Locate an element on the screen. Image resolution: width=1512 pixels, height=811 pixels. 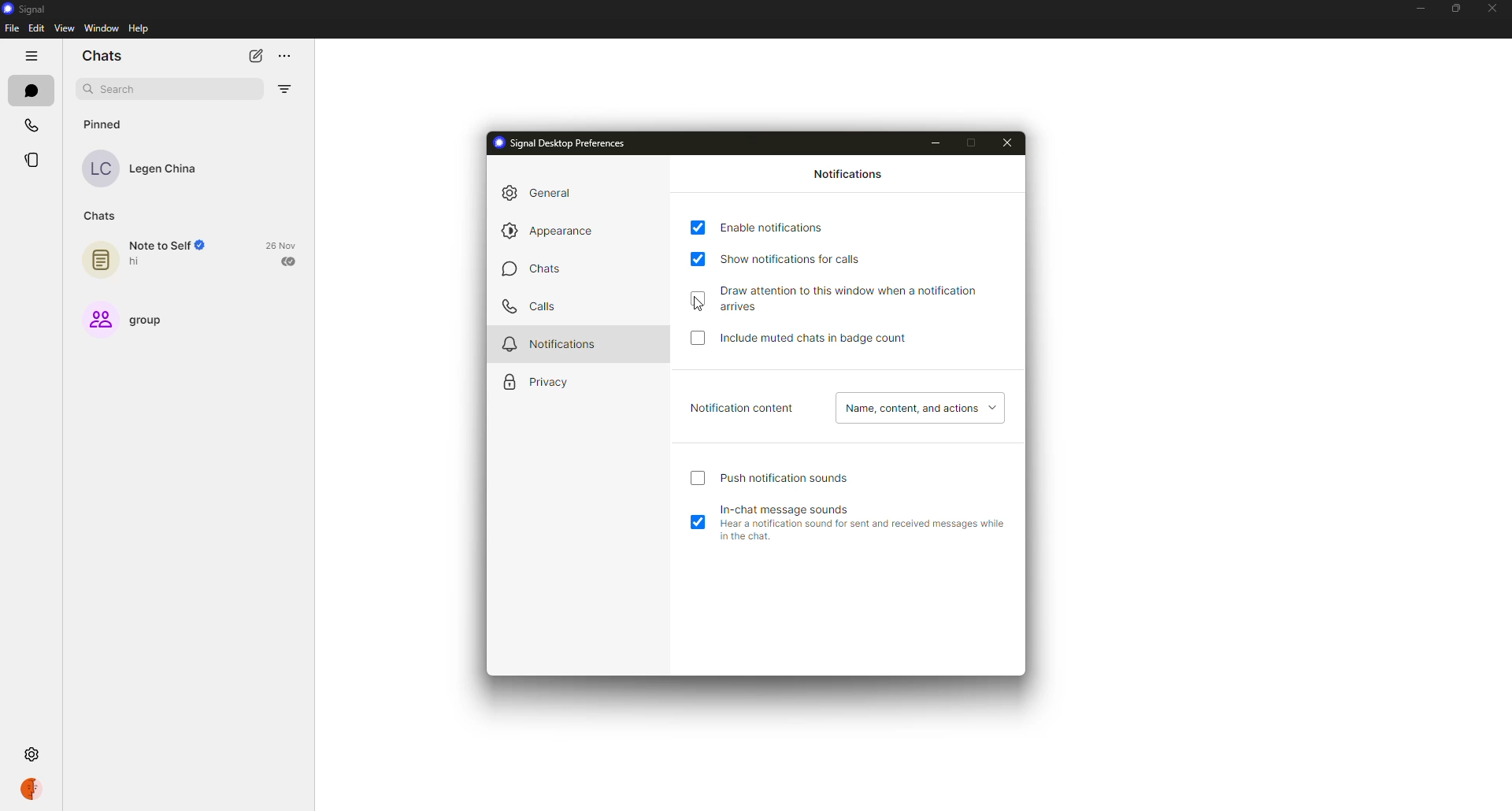
privacy is located at coordinates (539, 383).